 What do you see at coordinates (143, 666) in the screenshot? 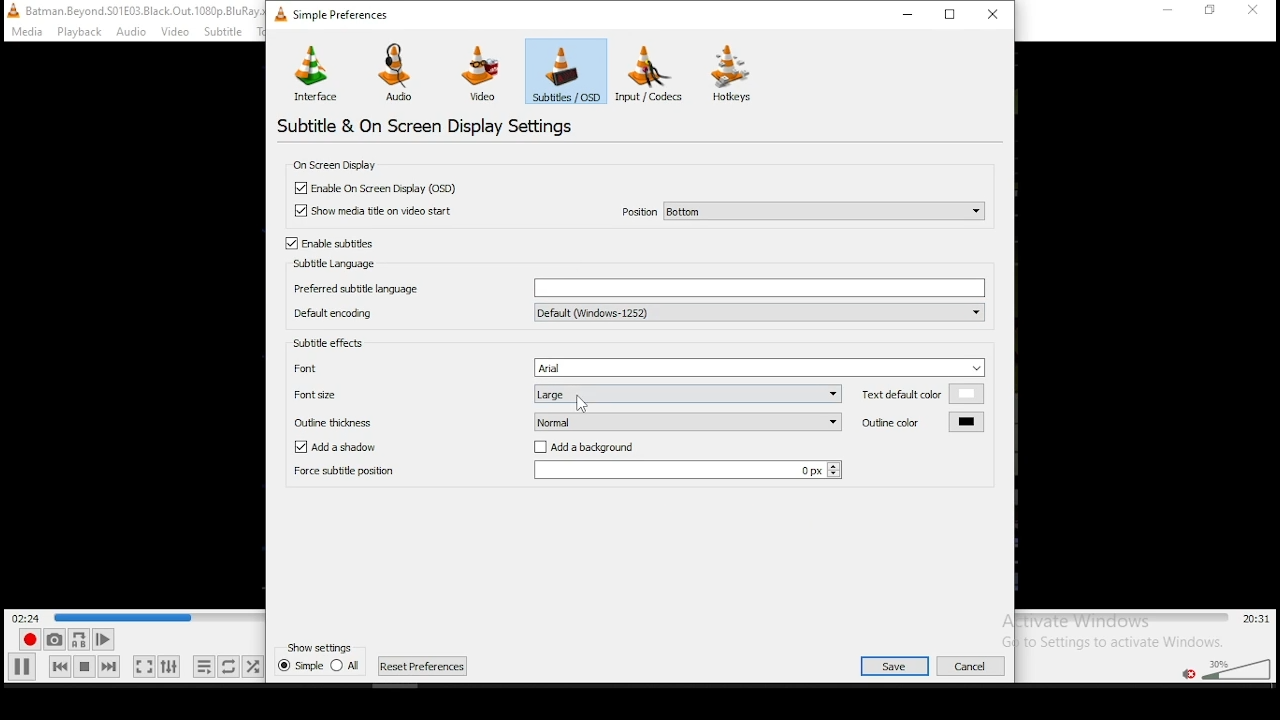
I see `toggle video in fullscreen` at bounding box center [143, 666].